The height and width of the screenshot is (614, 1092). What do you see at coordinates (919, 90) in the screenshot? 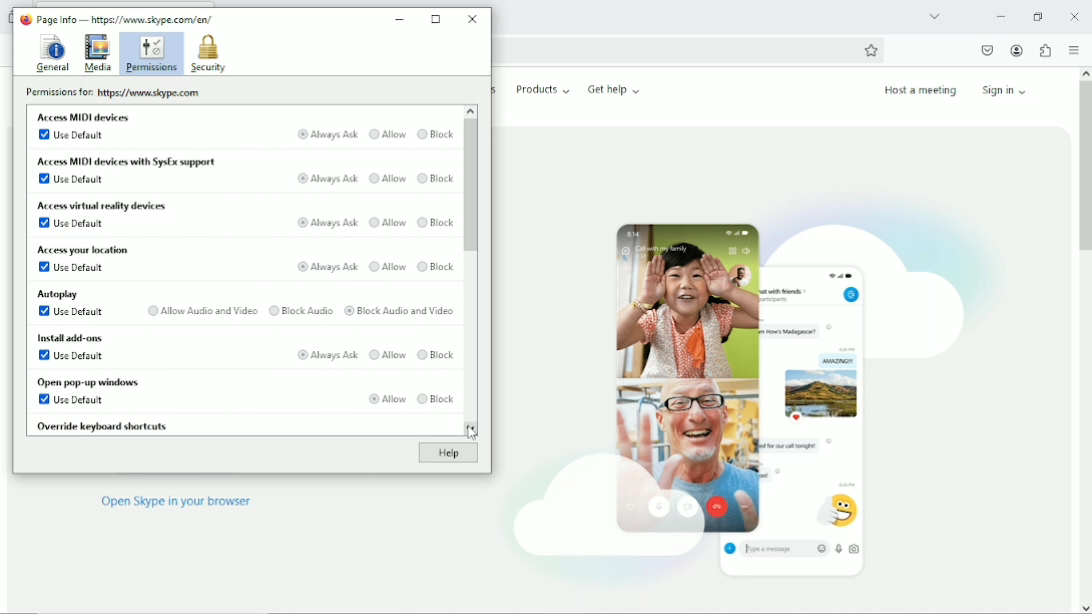
I see `Host a meeting` at bounding box center [919, 90].